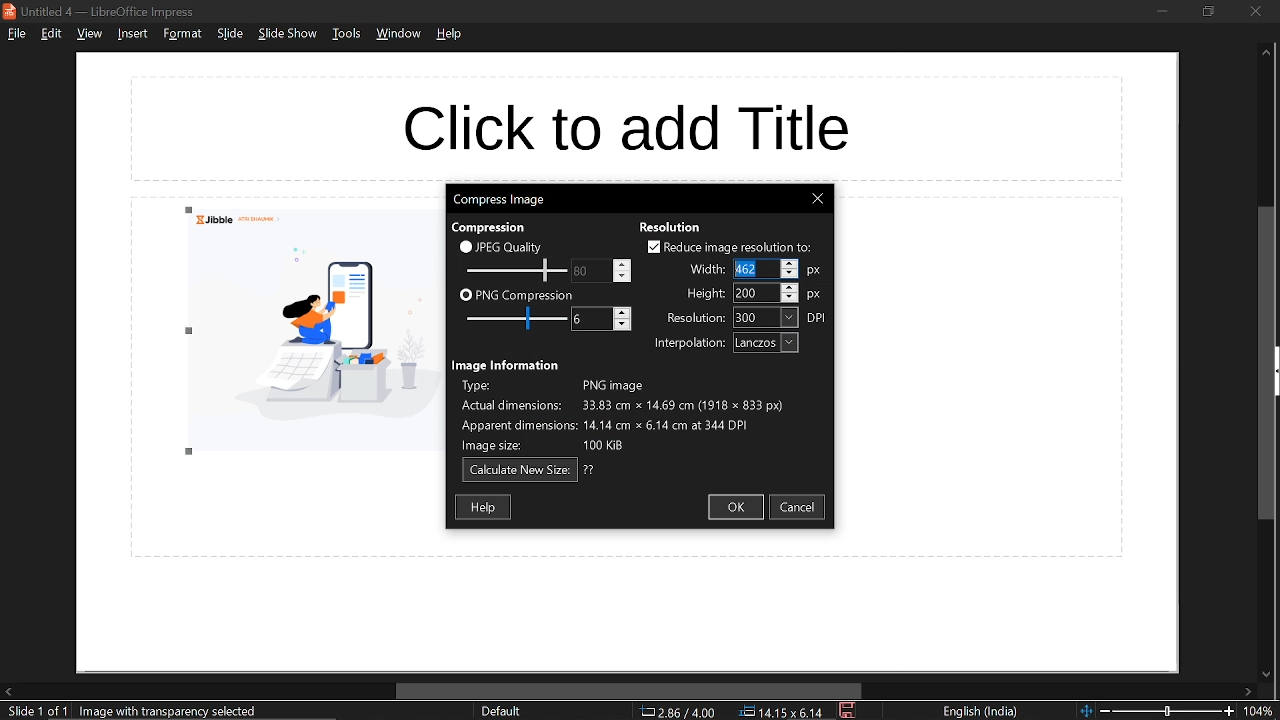  Describe the element at coordinates (1207, 11) in the screenshot. I see `restore down` at that location.